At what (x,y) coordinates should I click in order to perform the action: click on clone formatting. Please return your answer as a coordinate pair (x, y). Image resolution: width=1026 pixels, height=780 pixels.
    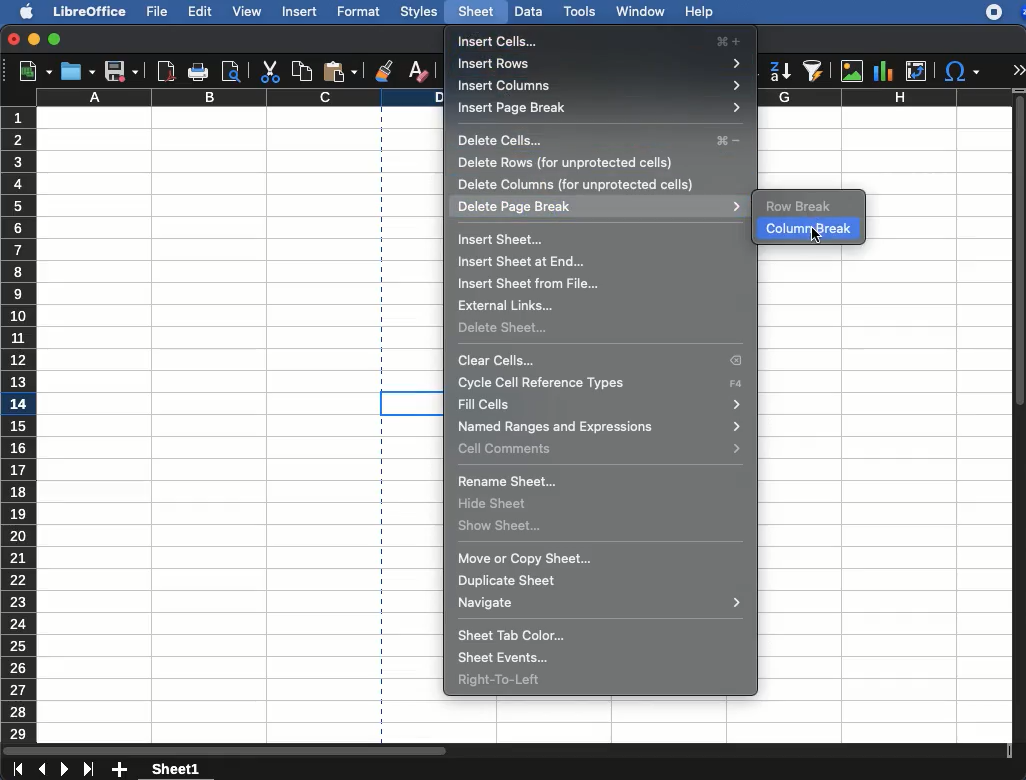
    Looking at the image, I should click on (385, 70).